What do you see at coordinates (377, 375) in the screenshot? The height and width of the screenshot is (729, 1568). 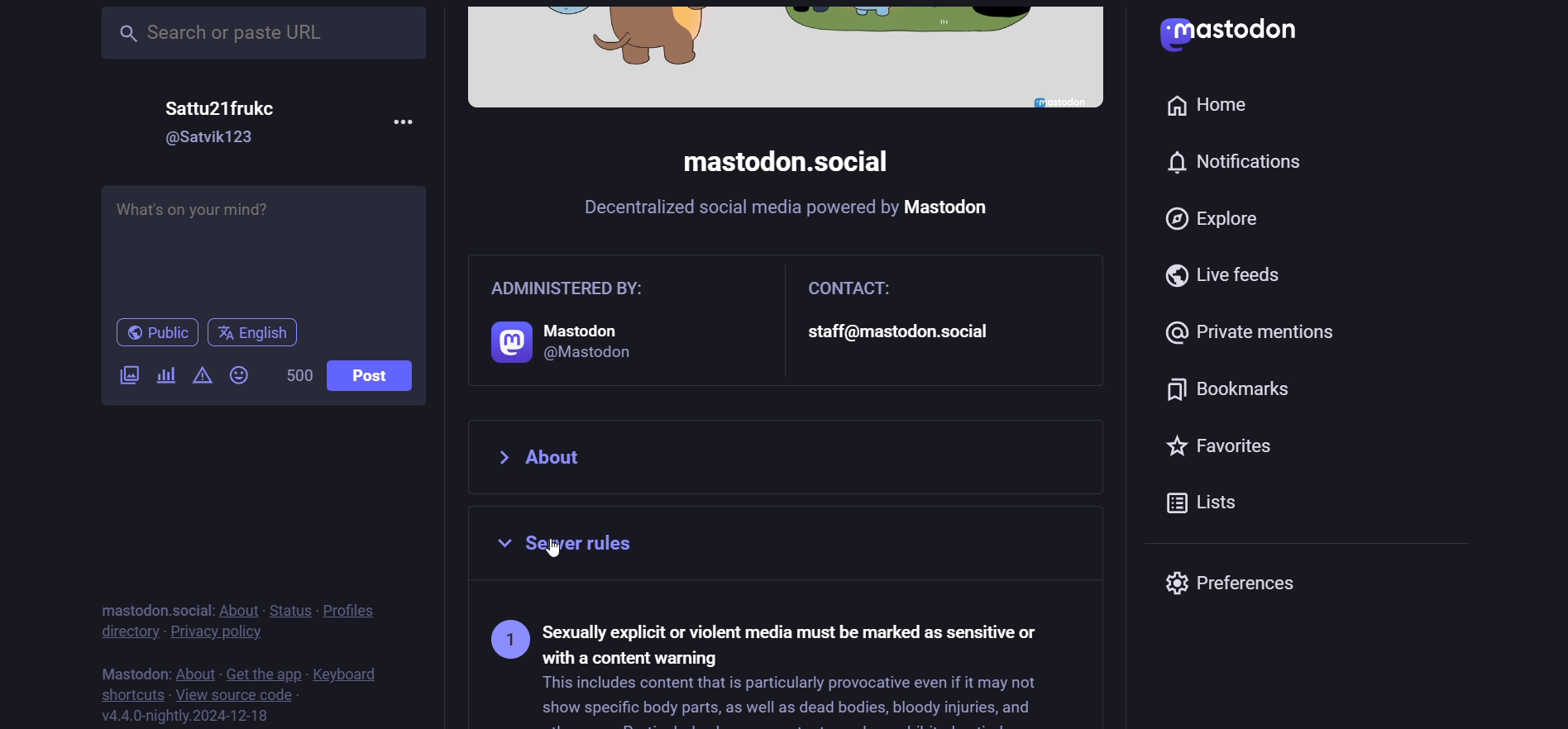 I see `post` at bounding box center [377, 375].